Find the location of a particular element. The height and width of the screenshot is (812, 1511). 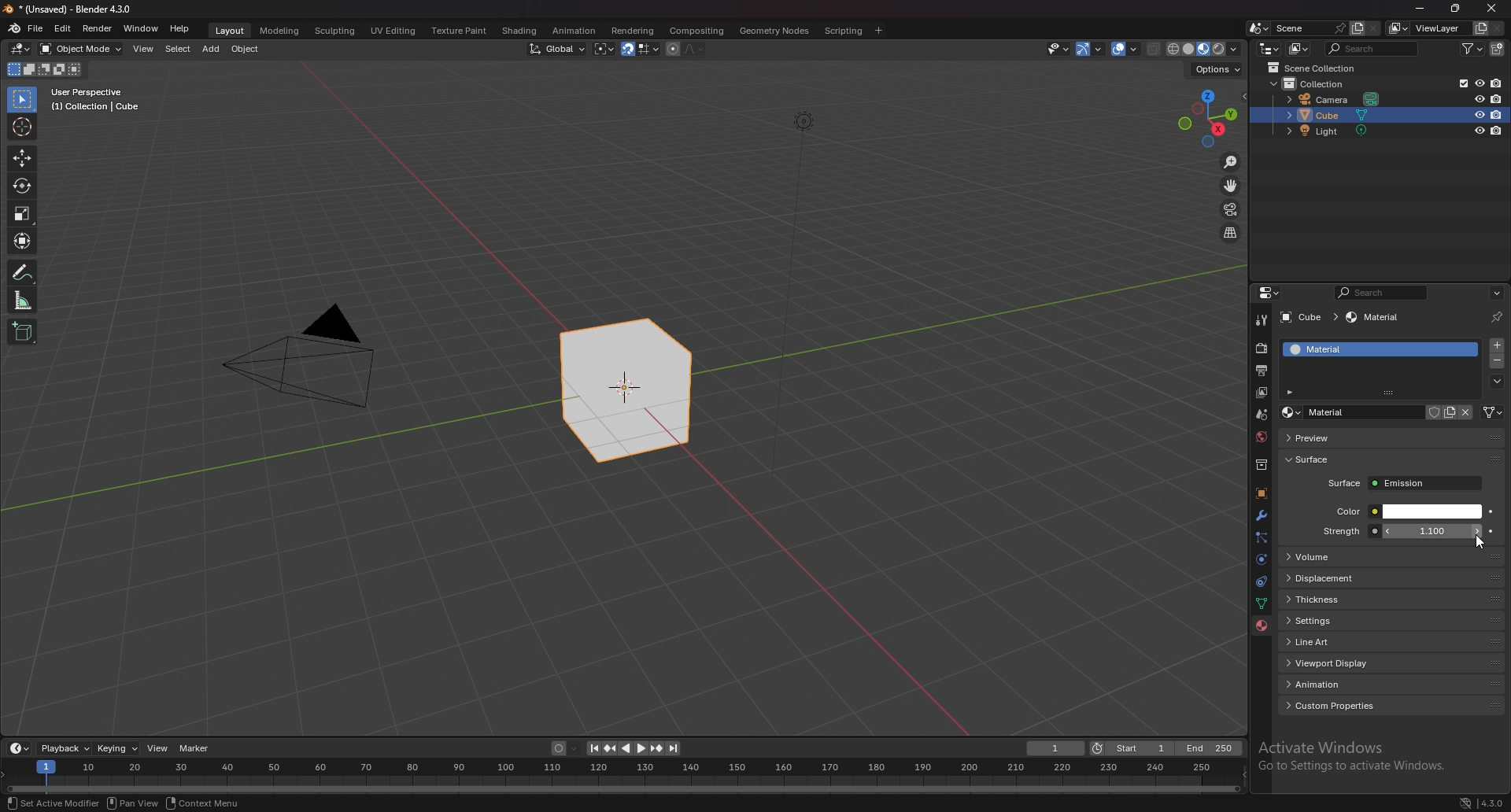

reduce strength is located at coordinates (1387, 531).